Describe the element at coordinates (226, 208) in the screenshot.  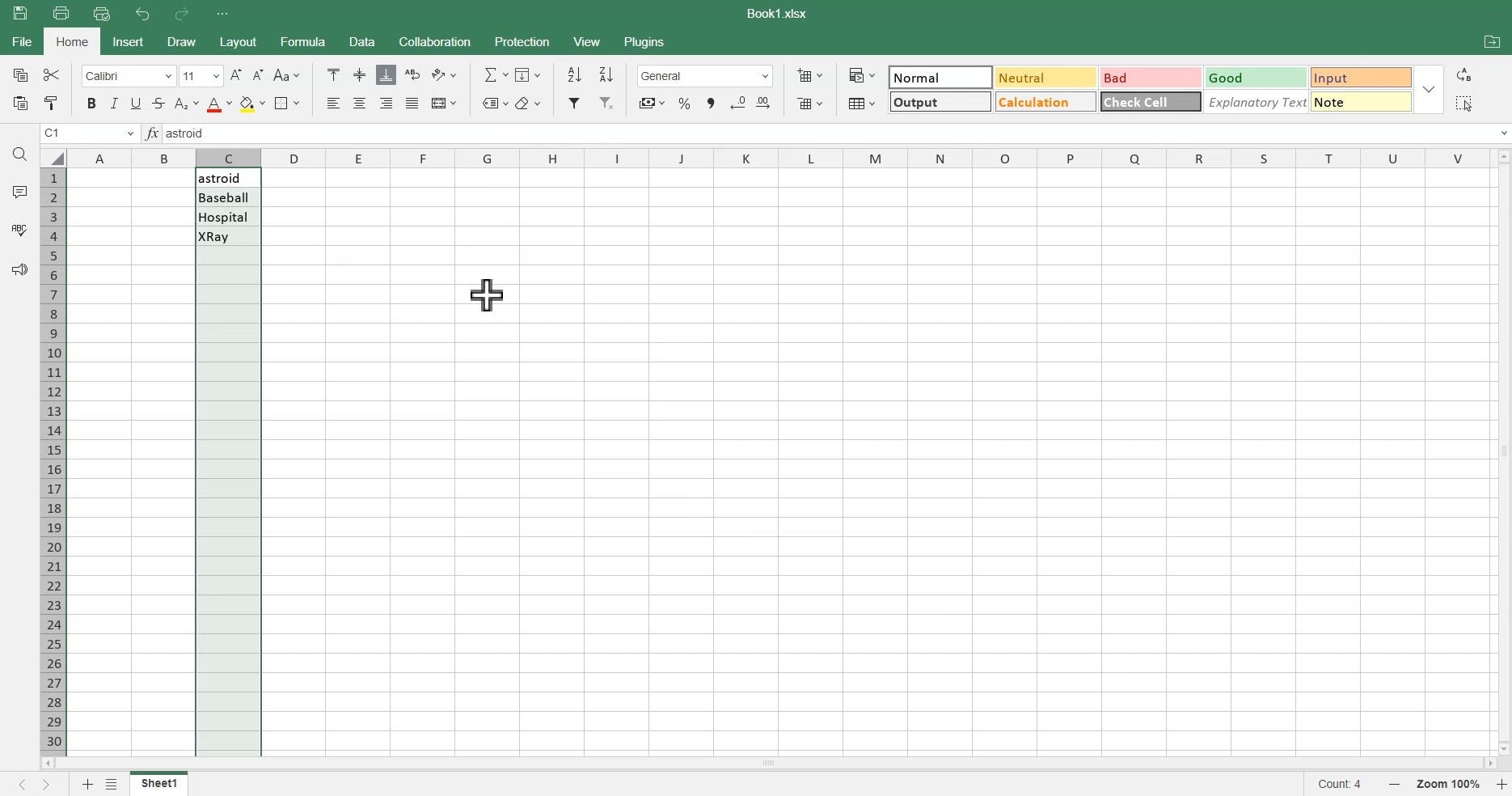
I see `Text Set Ascending` at that location.